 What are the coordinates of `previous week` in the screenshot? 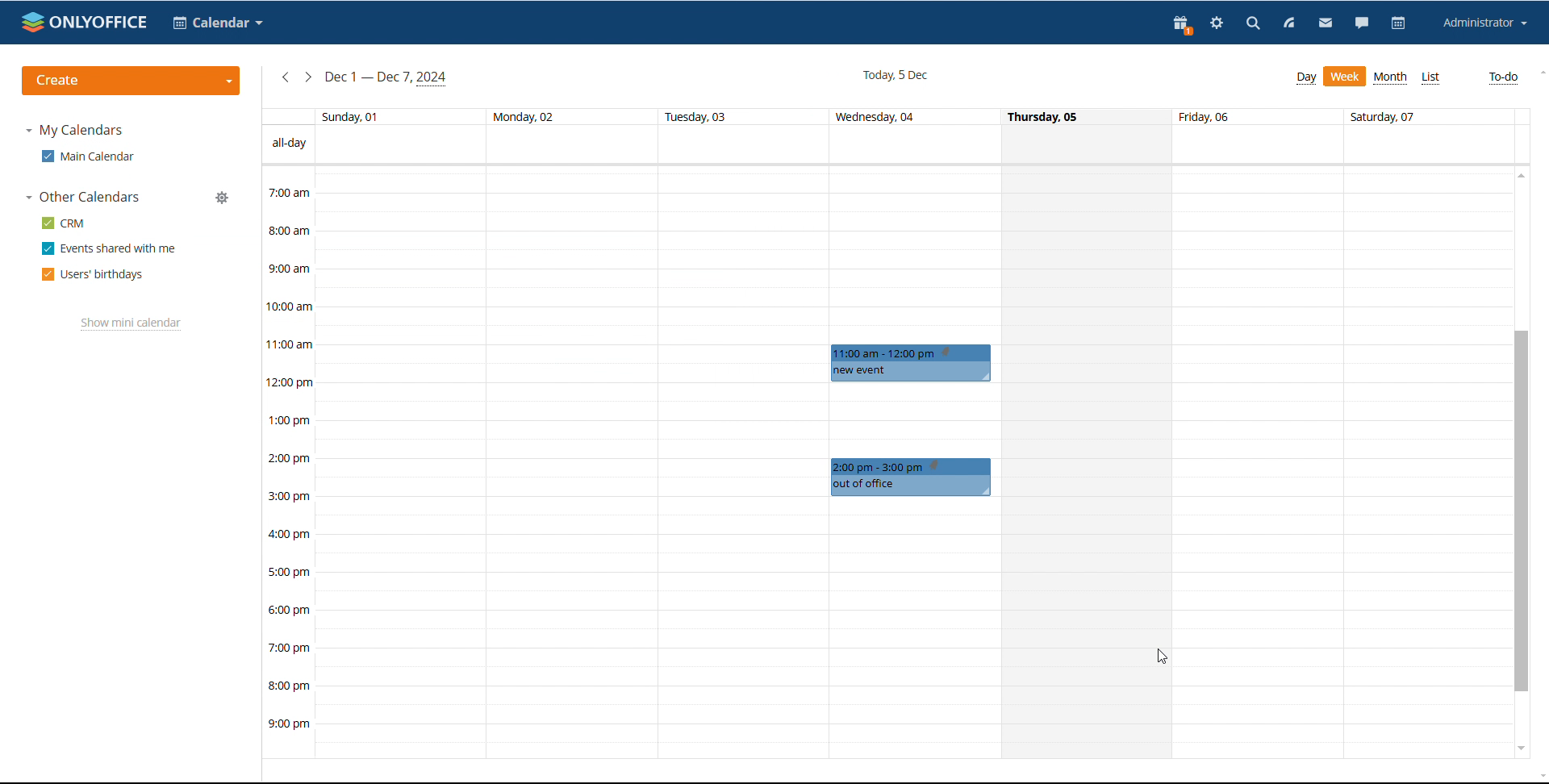 It's located at (285, 79).